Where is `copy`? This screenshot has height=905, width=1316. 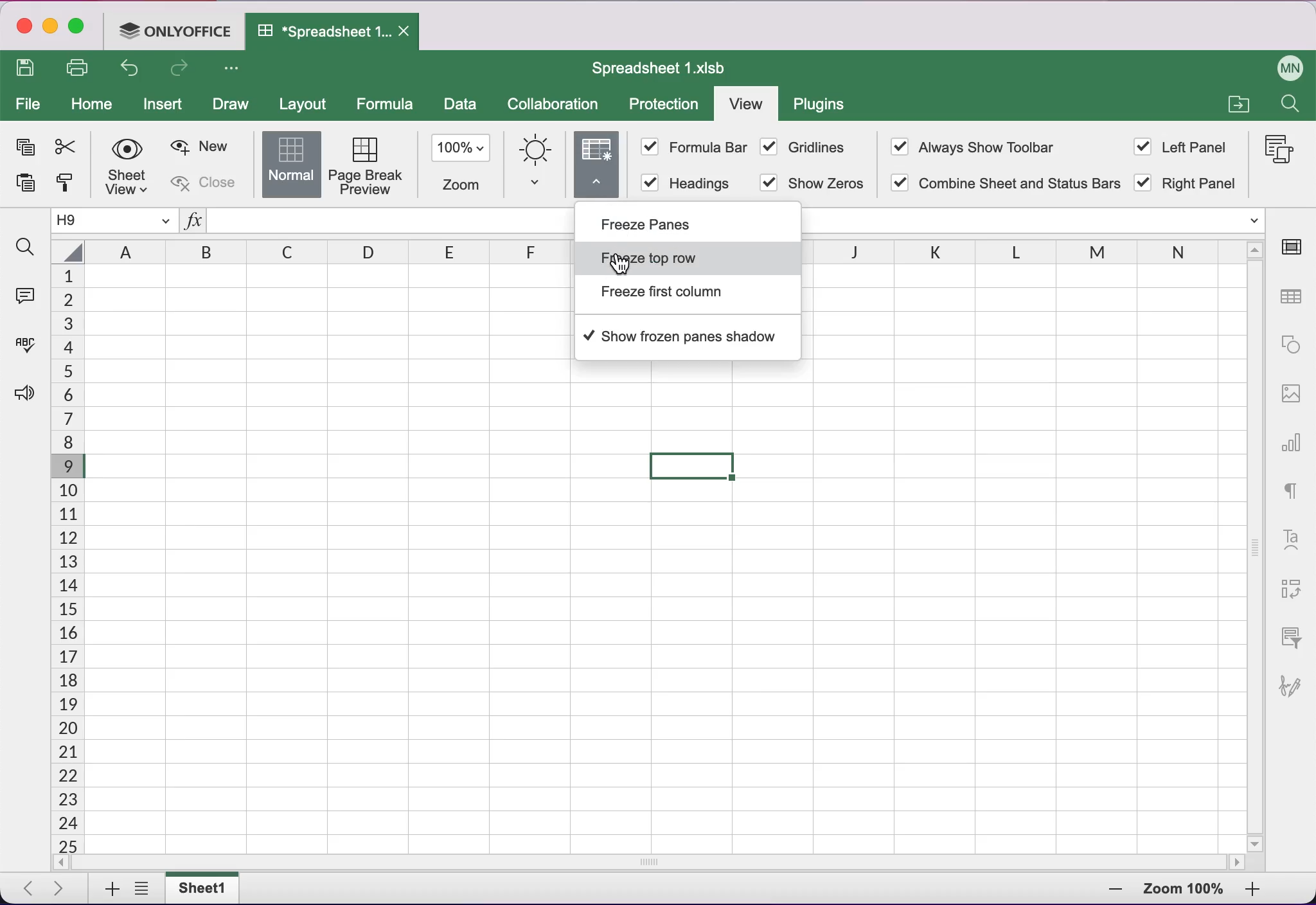
copy is located at coordinates (24, 144).